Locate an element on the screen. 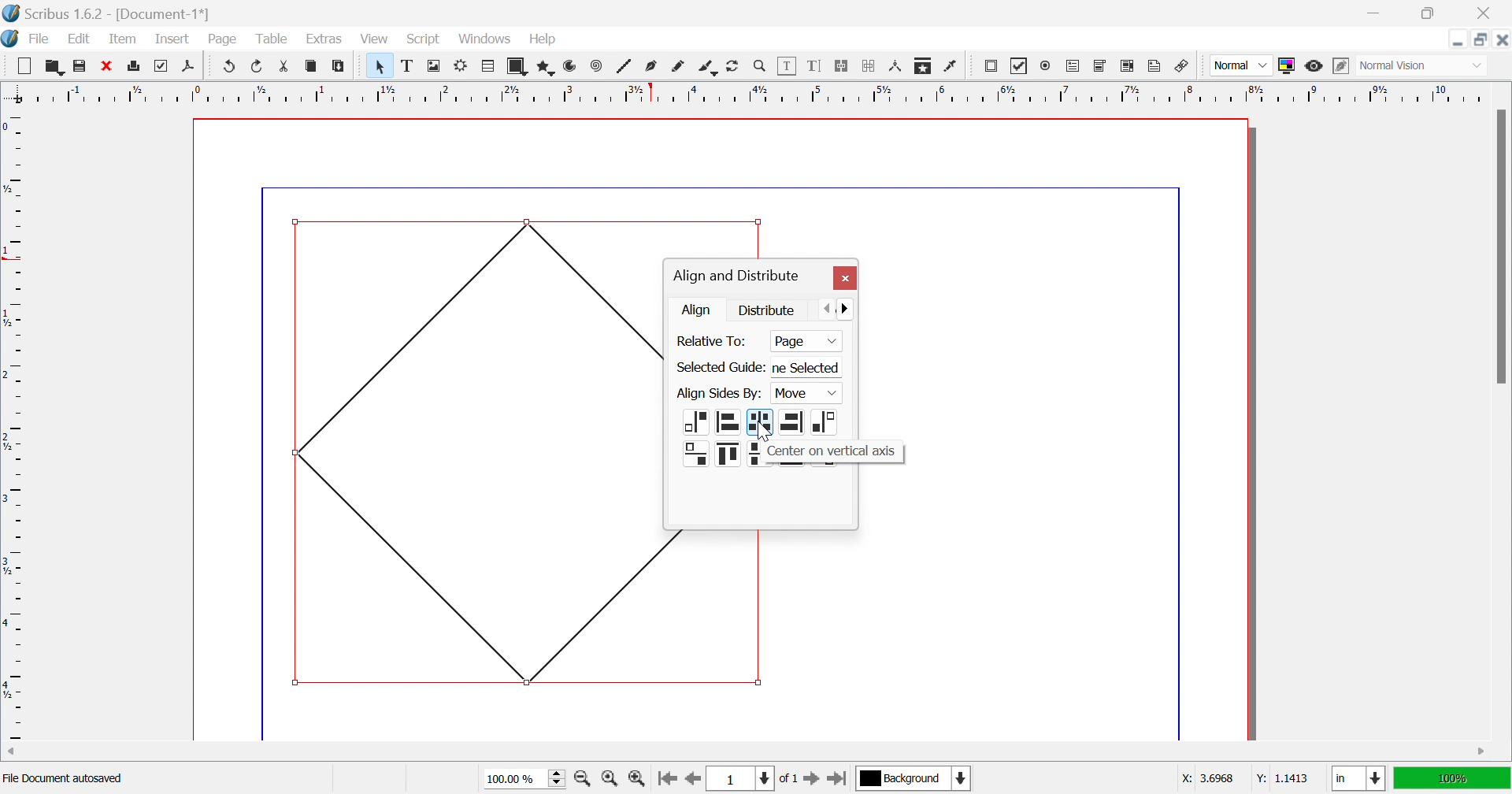 This screenshot has width=1512, height=794. Link Annotation is located at coordinates (1182, 68).